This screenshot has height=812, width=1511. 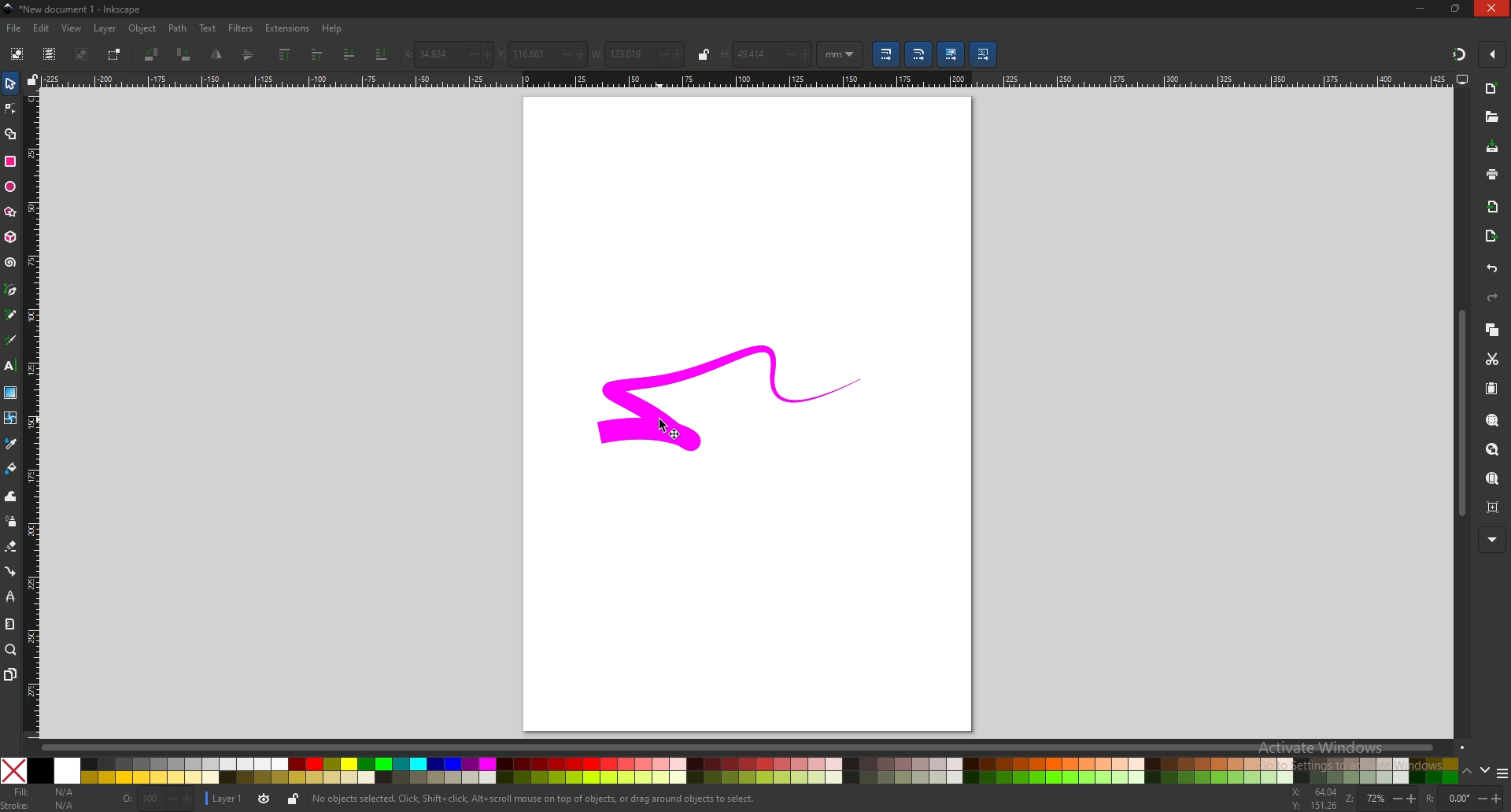 I want to click on rotate 90 degree ccw, so click(x=152, y=55).